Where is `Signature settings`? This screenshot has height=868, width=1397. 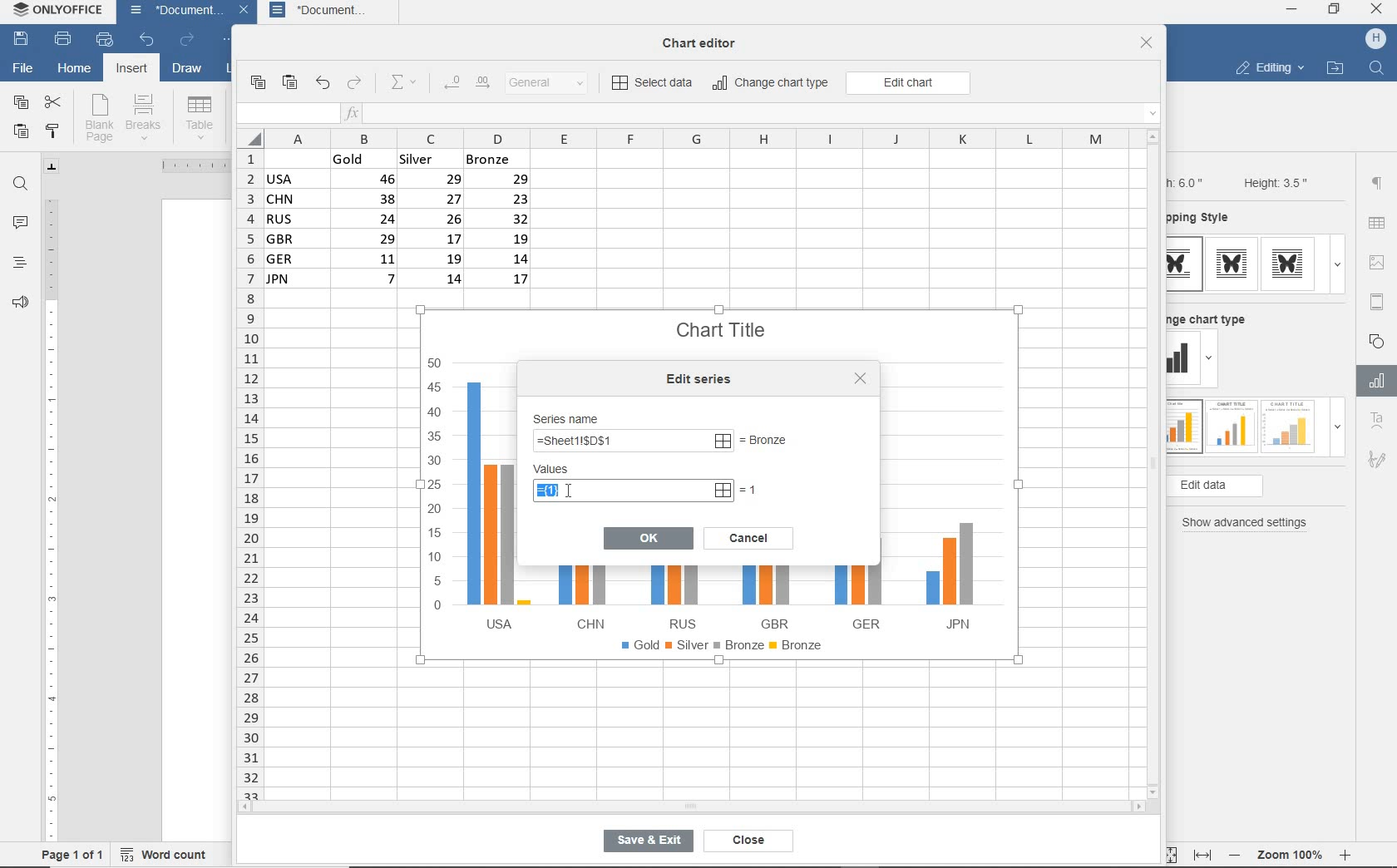
Signature settings is located at coordinates (1376, 463).